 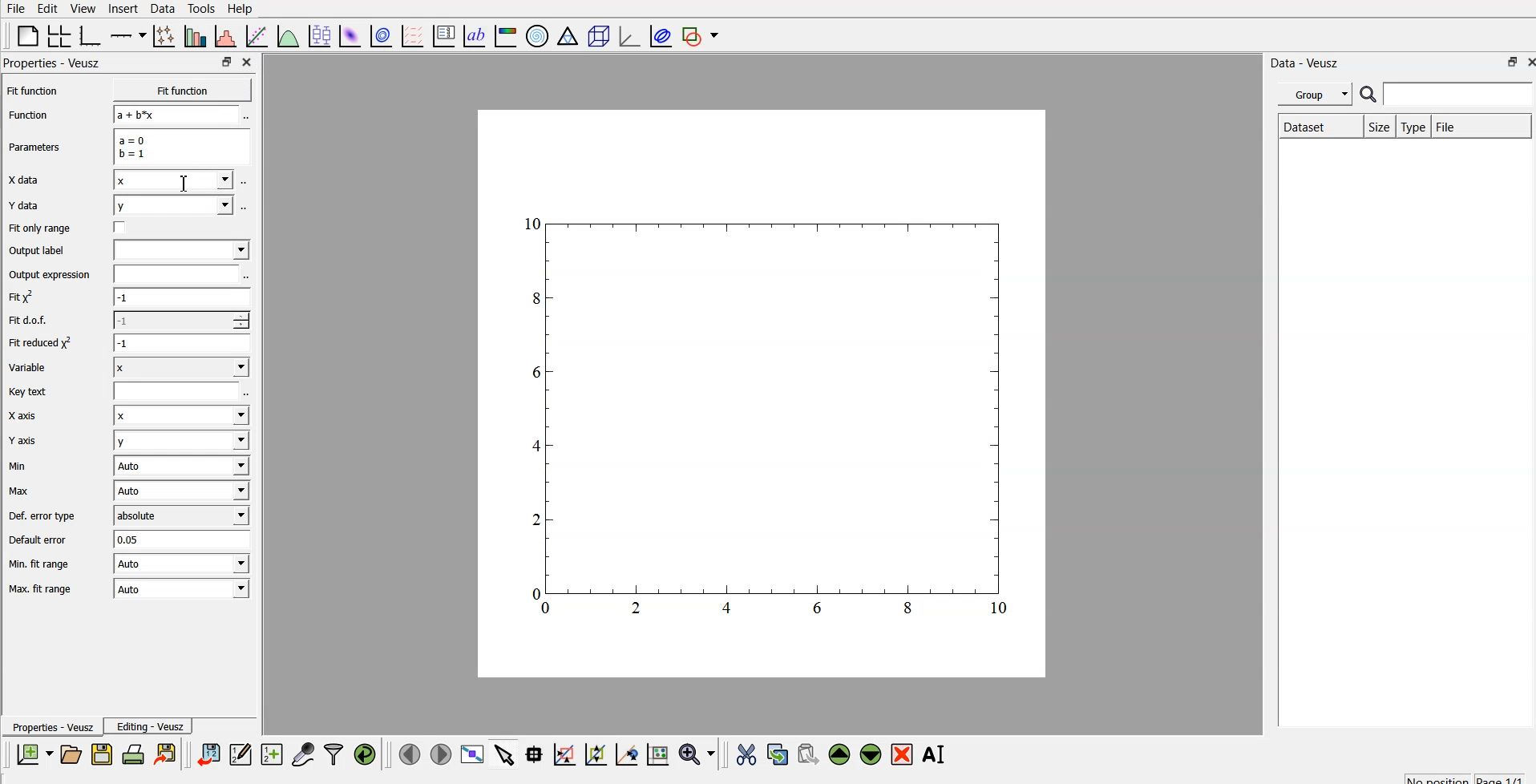 I want to click on x , so click(x=174, y=180).